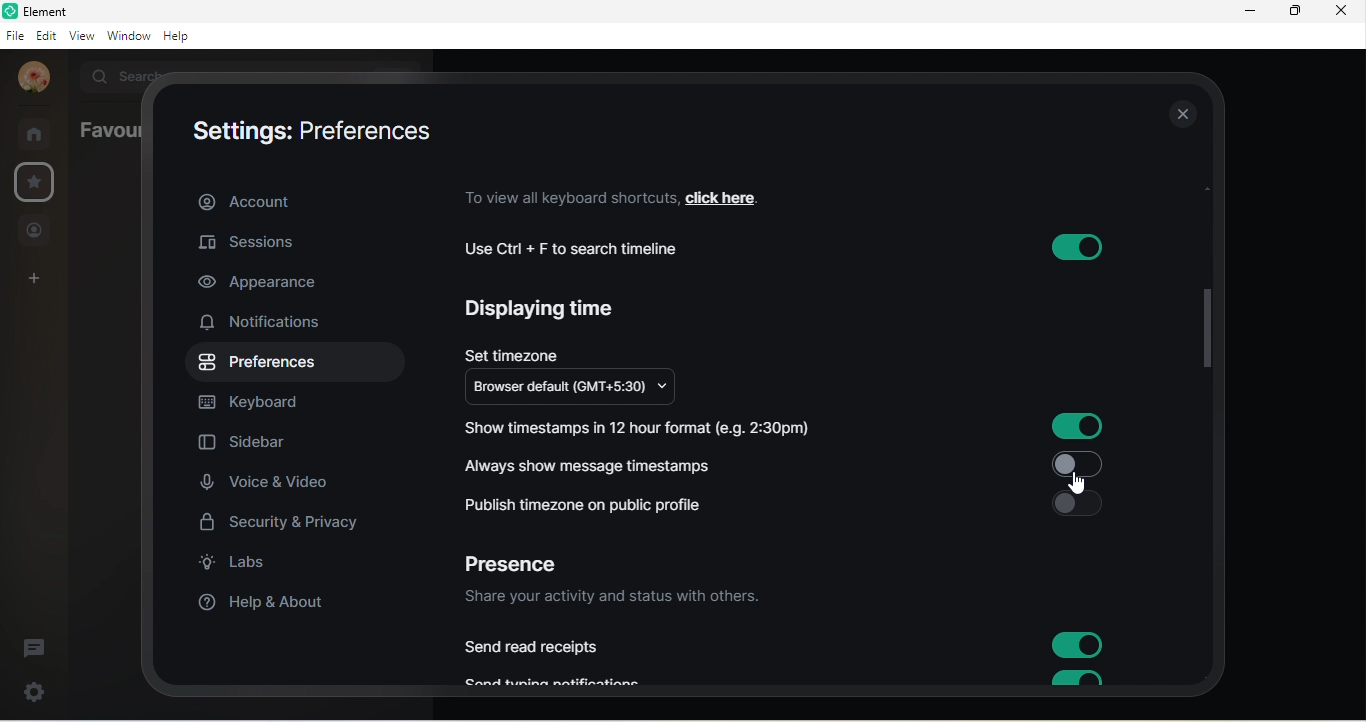  I want to click on presence, so click(522, 559).